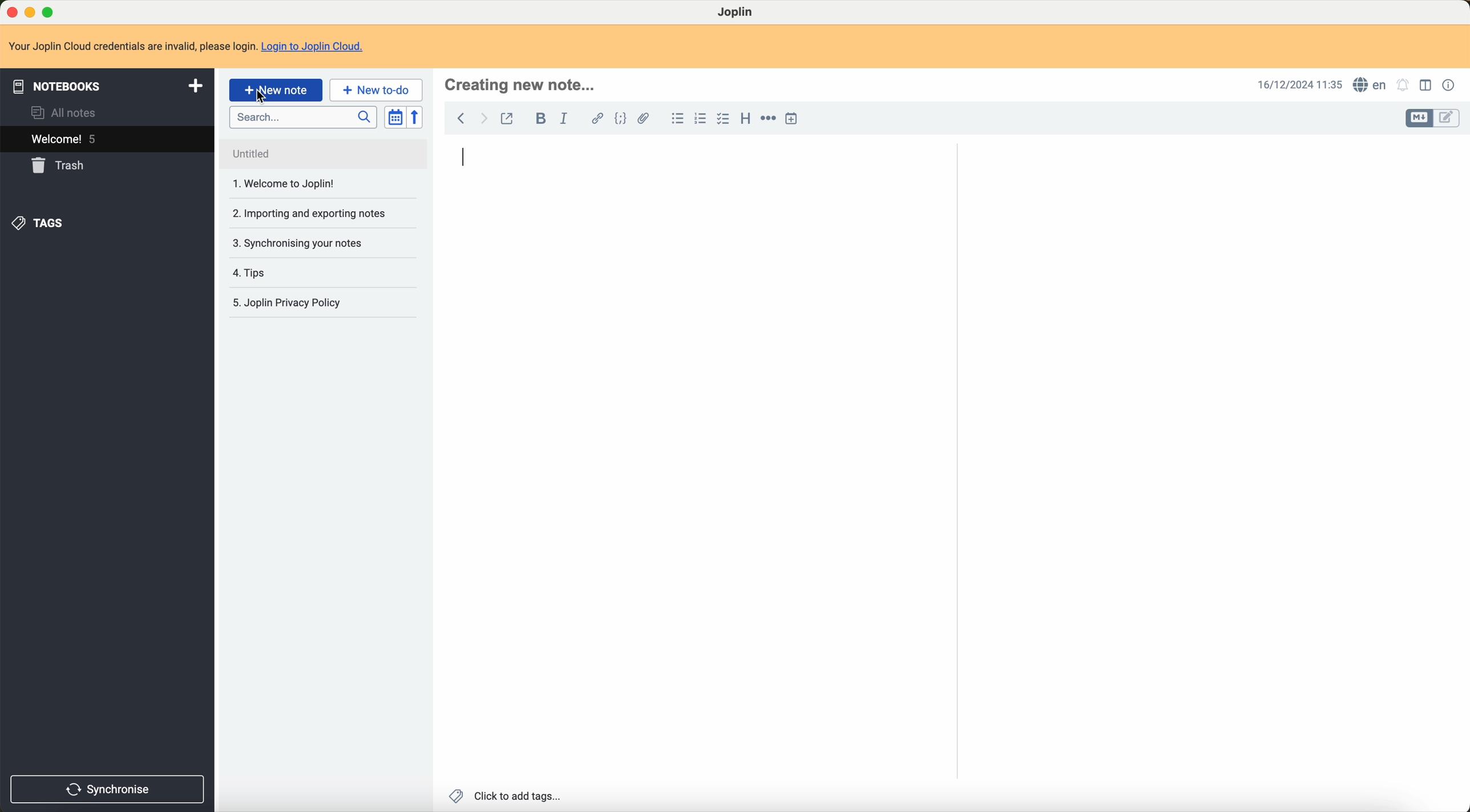 This screenshot has width=1470, height=812. What do you see at coordinates (416, 117) in the screenshot?
I see `reverse sort order` at bounding box center [416, 117].